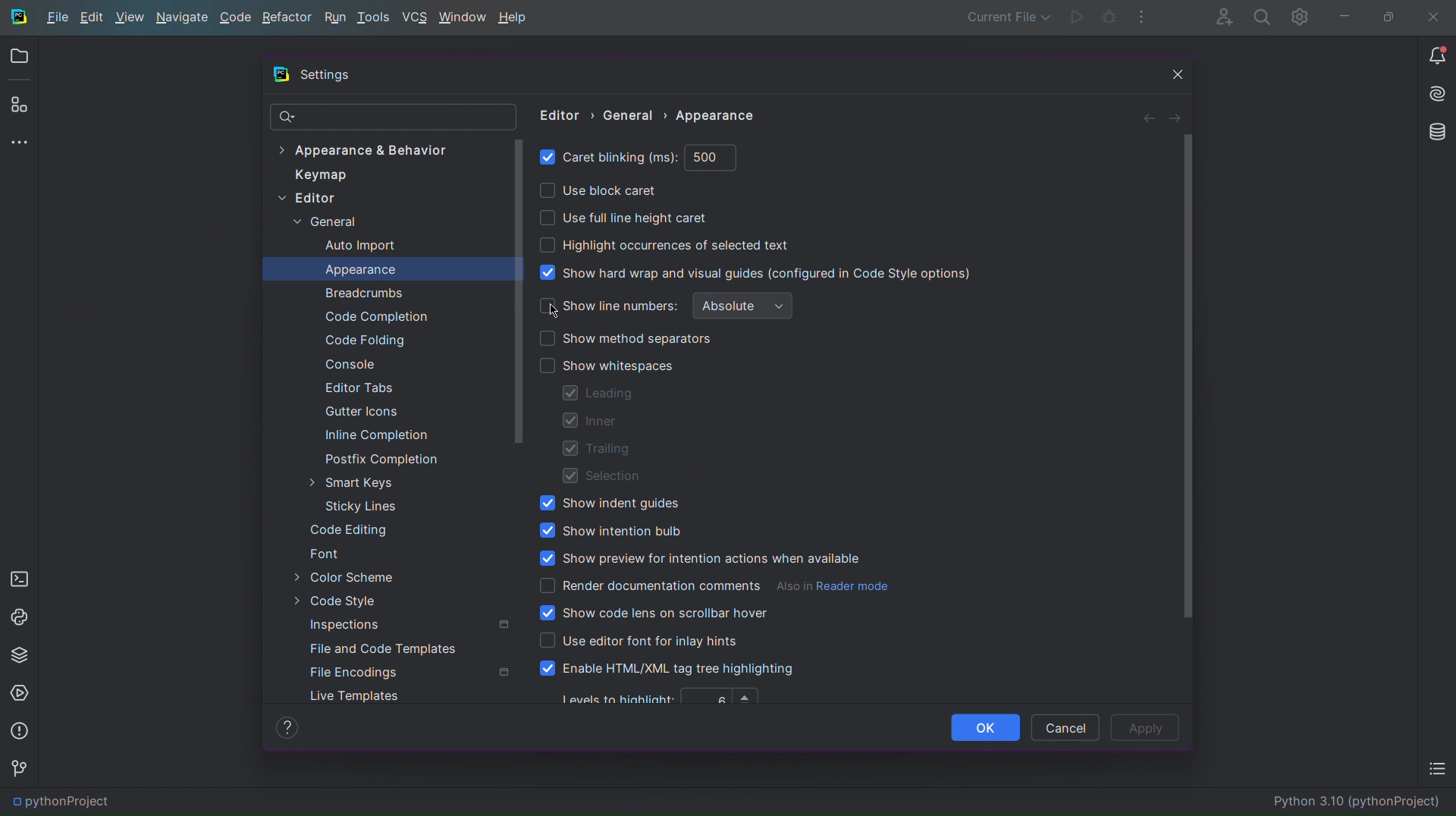 Image resolution: width=1456 pixels, height=816 pixels. I want to click on Next, so click(1175, 118).